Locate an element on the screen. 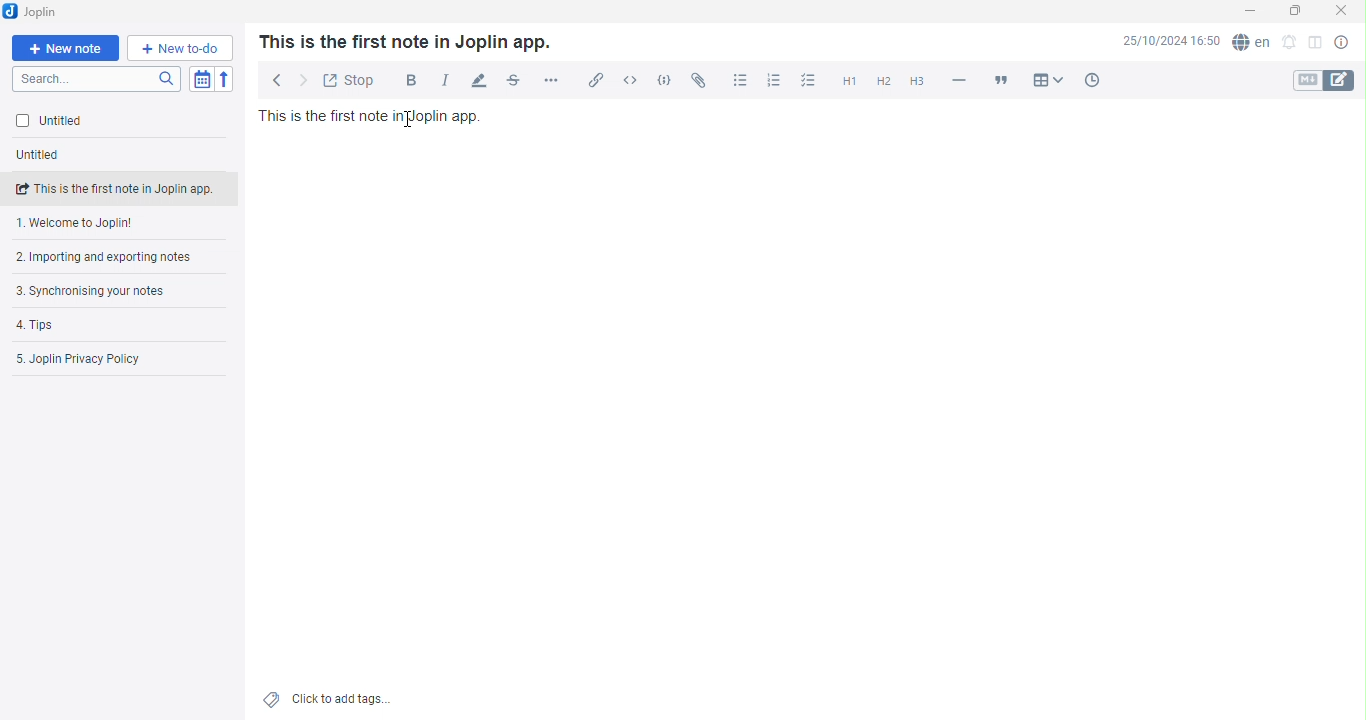  Maximize is located at coordinates (1294, 14).